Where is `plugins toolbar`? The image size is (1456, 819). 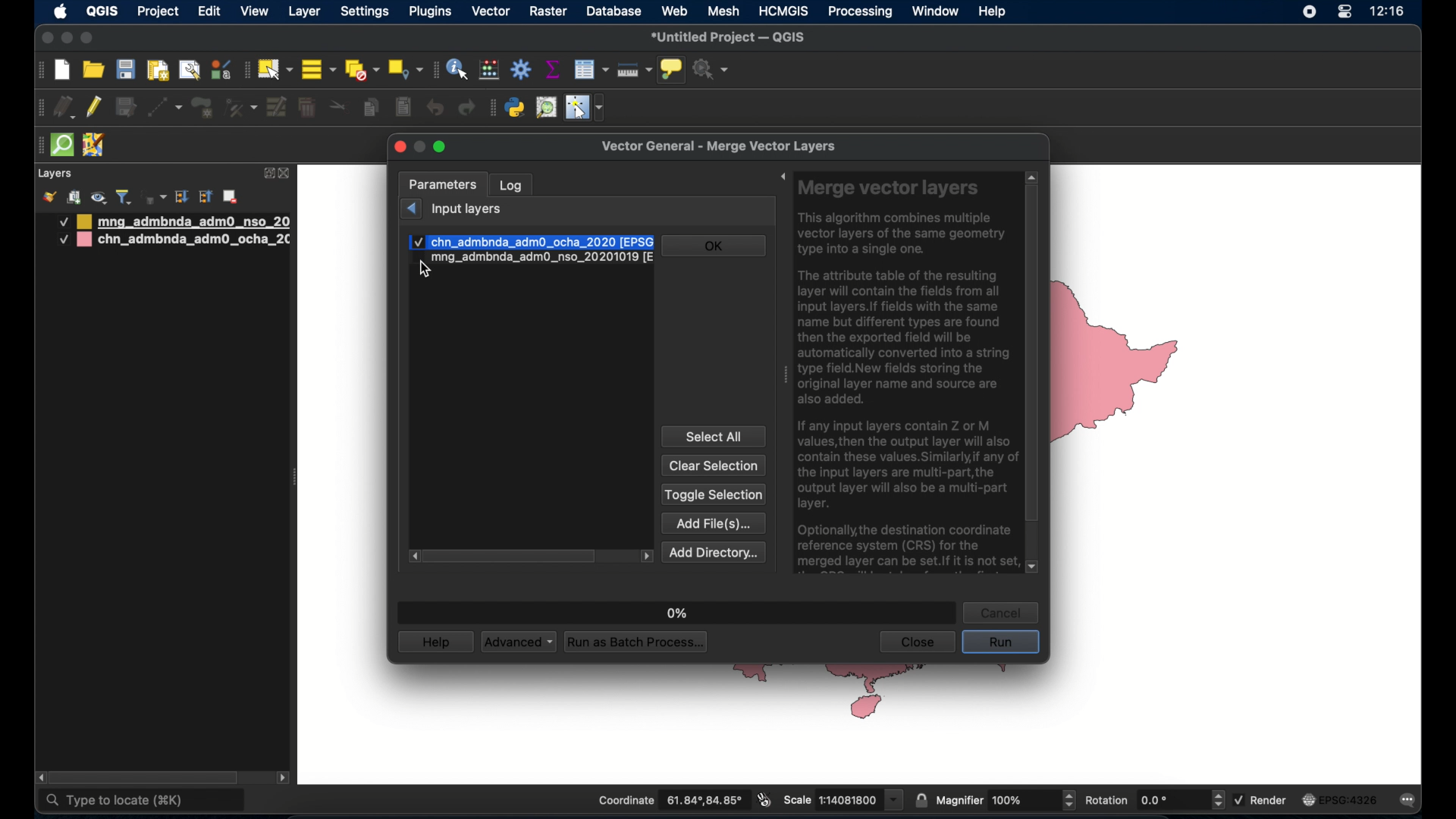
plugins toolbar is located at coordinates (491, 106).